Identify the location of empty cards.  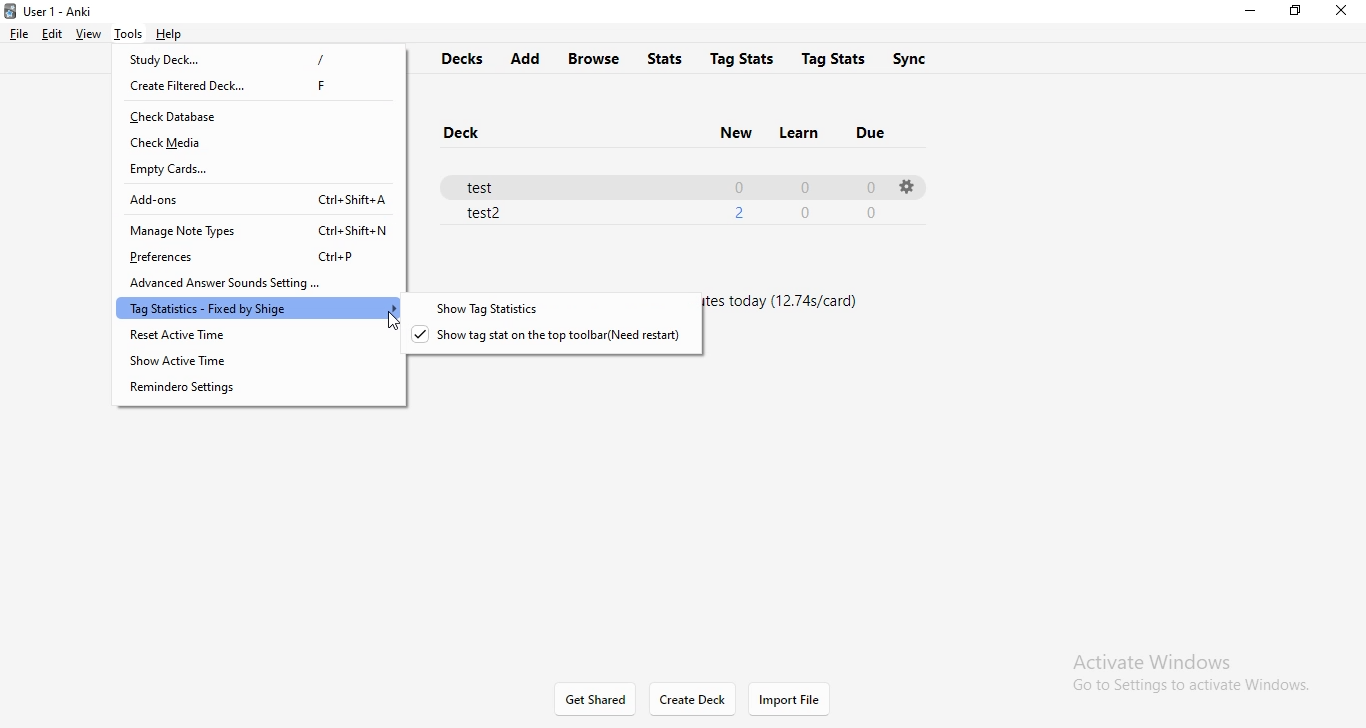
(260, 170).